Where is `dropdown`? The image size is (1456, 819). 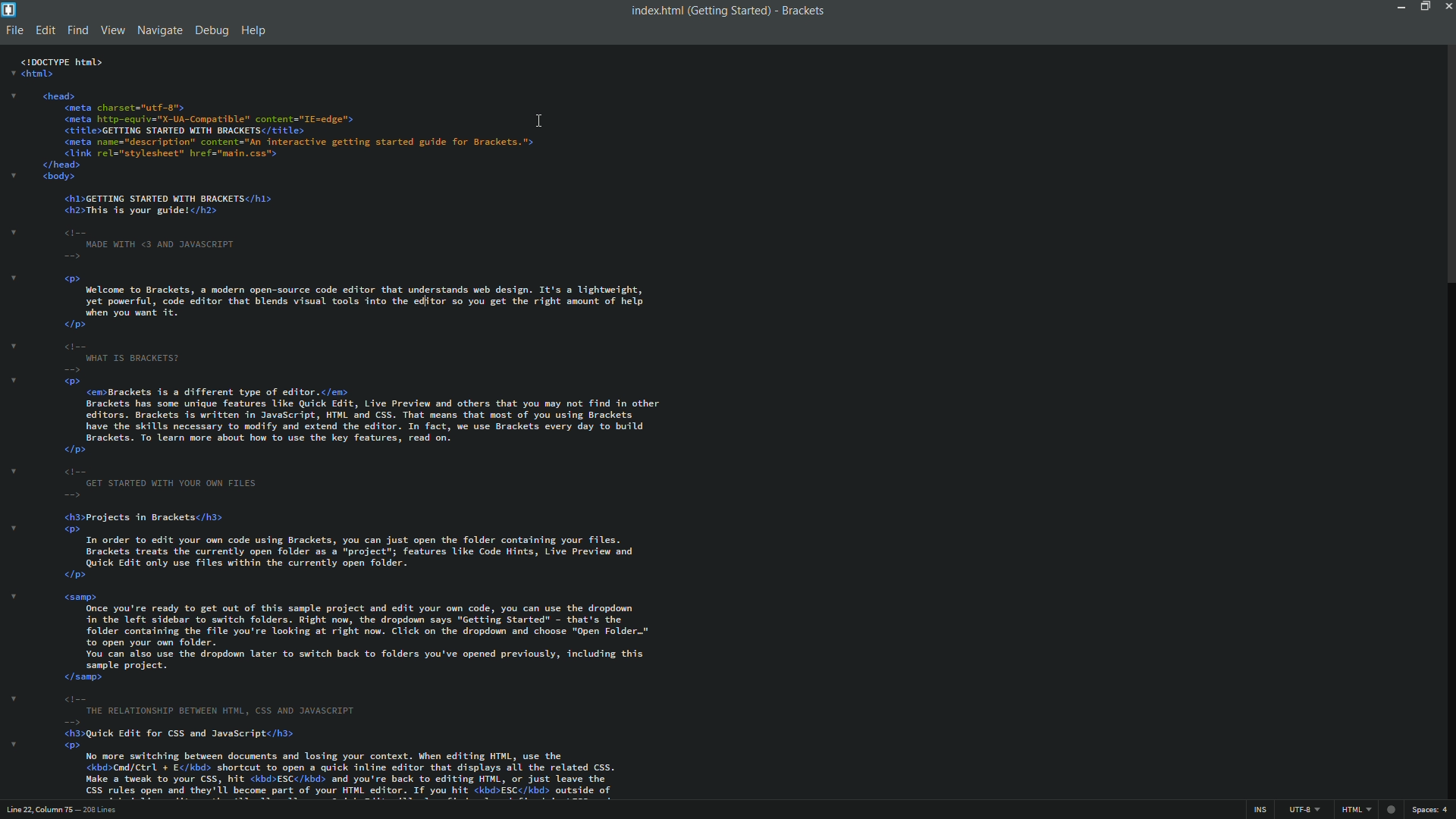 dropdown is located at coordinates (14, 96).